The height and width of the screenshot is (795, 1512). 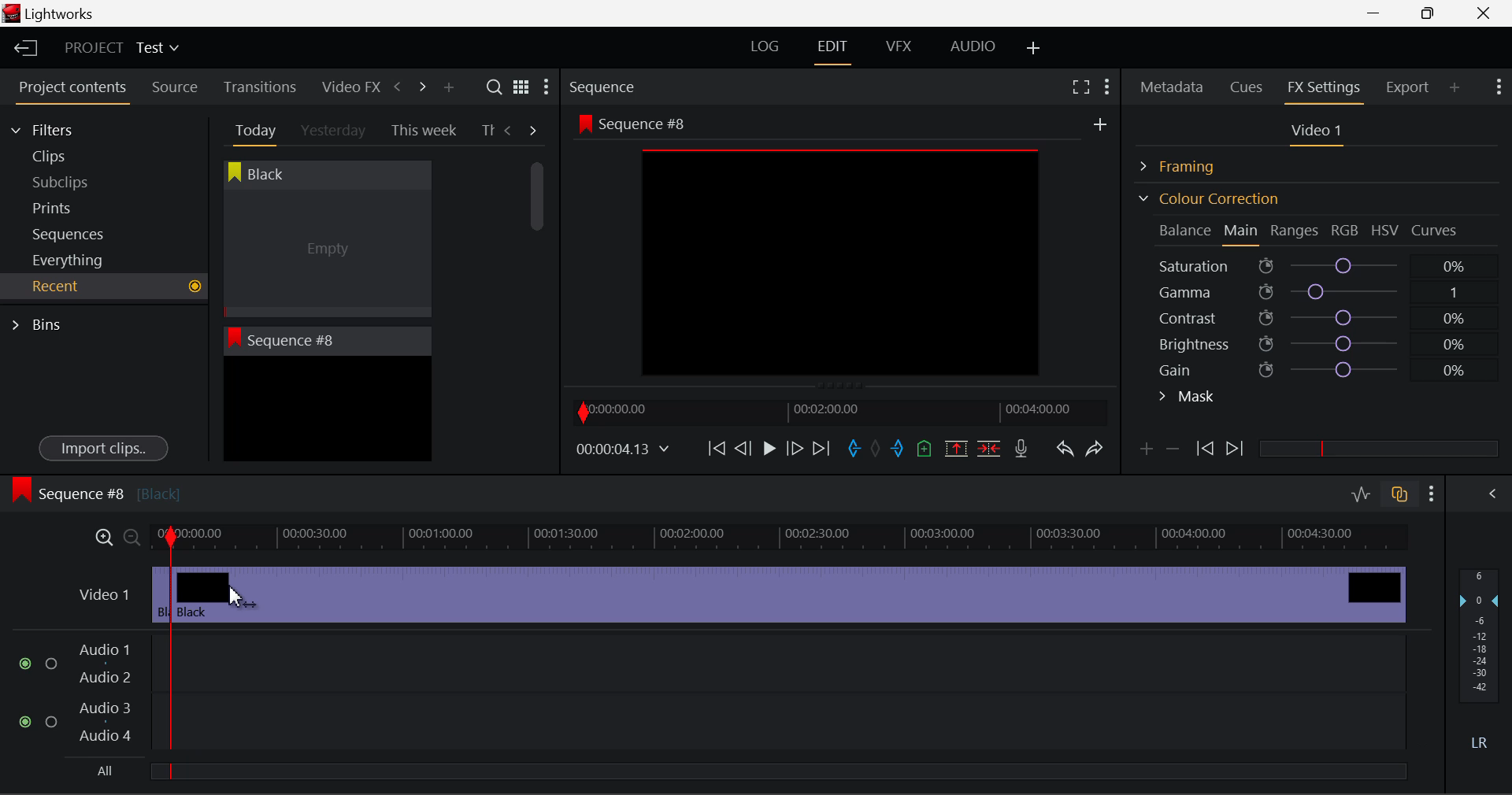 What do you see at coordinates (780, 538) in the screenshot?
I see `Project Timeline` at bounding box center [780, 538].